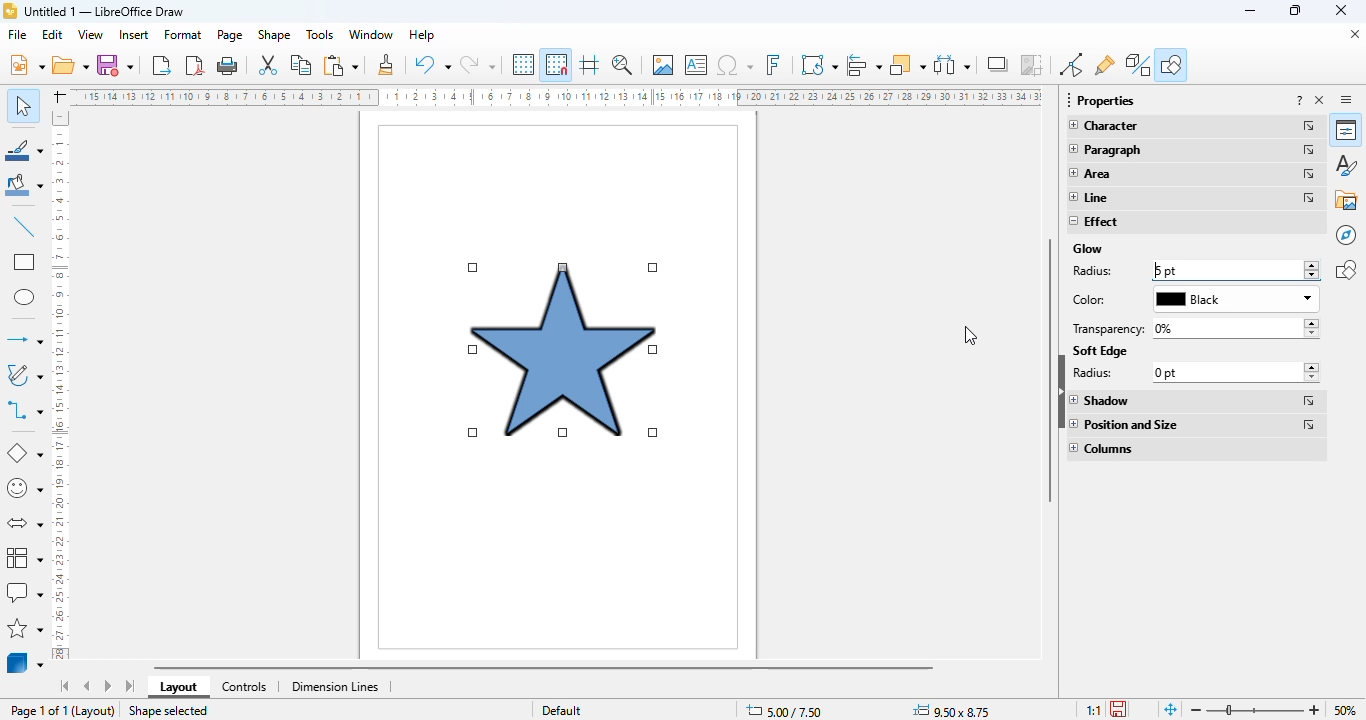  I want to click on lines and arrows, so click(24, 340).